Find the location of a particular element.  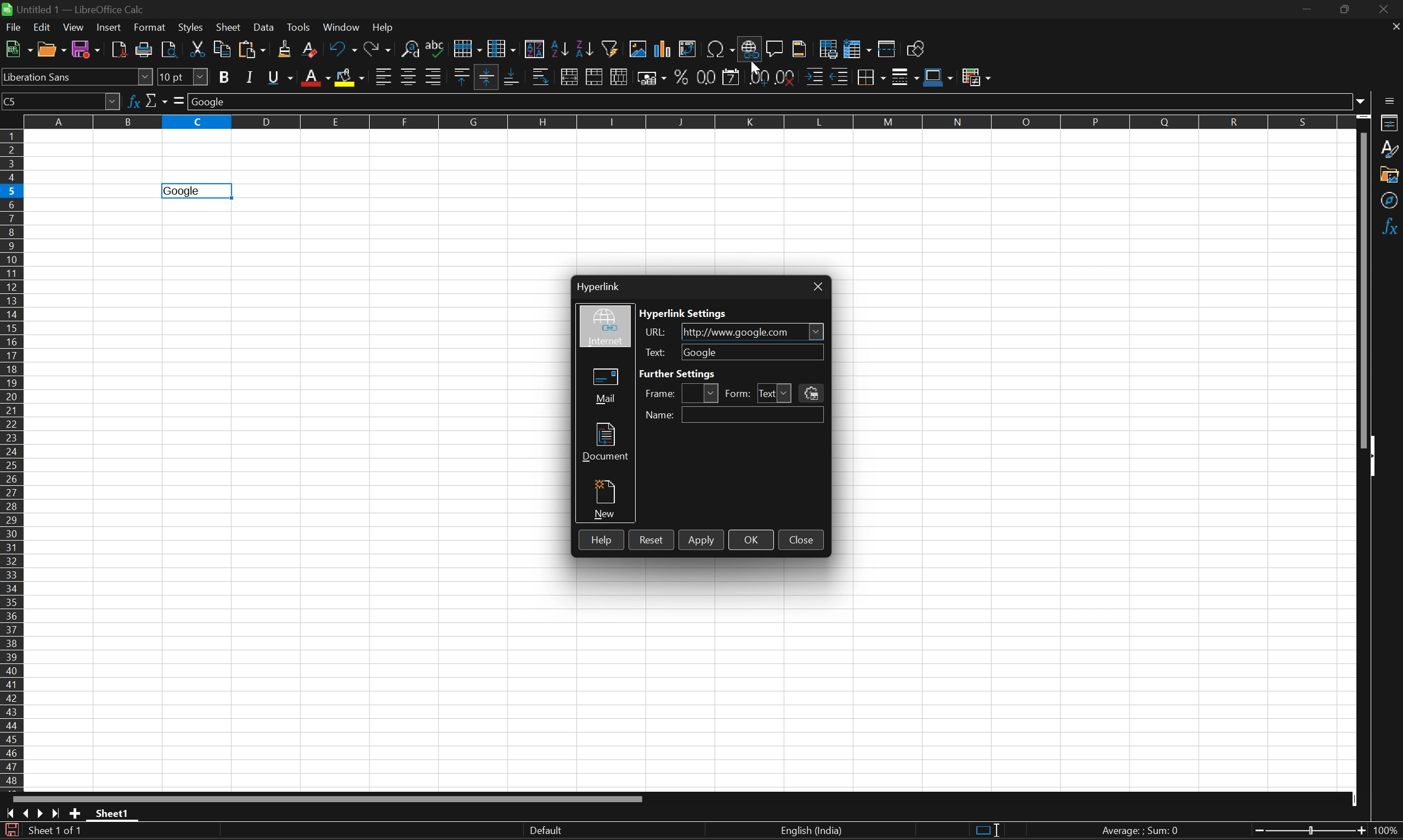

Cut is located at coordinates (199, 48).